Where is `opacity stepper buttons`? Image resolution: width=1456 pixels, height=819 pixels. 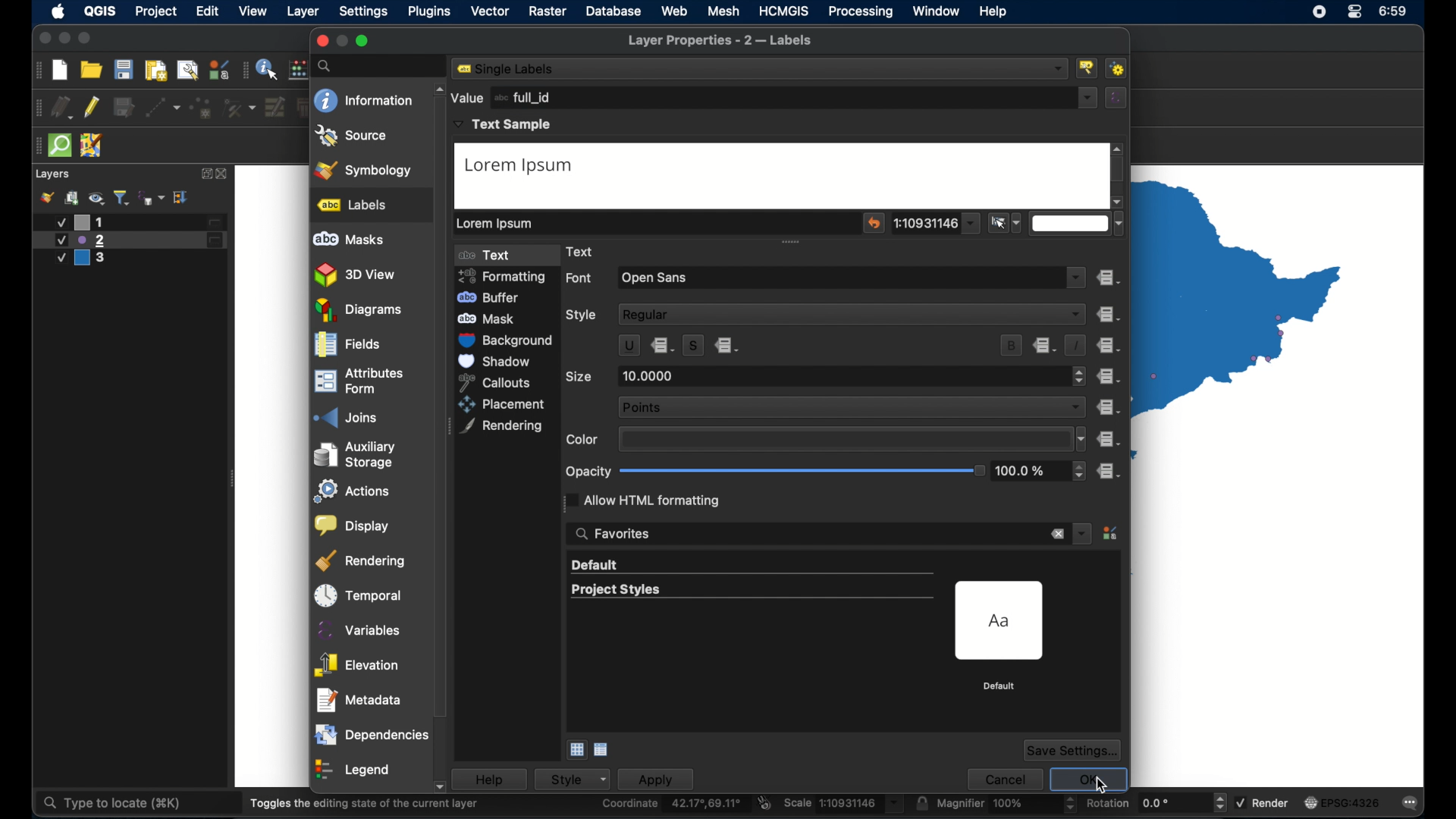
opacity stepper buttons is located at coordinates (1041, 471).